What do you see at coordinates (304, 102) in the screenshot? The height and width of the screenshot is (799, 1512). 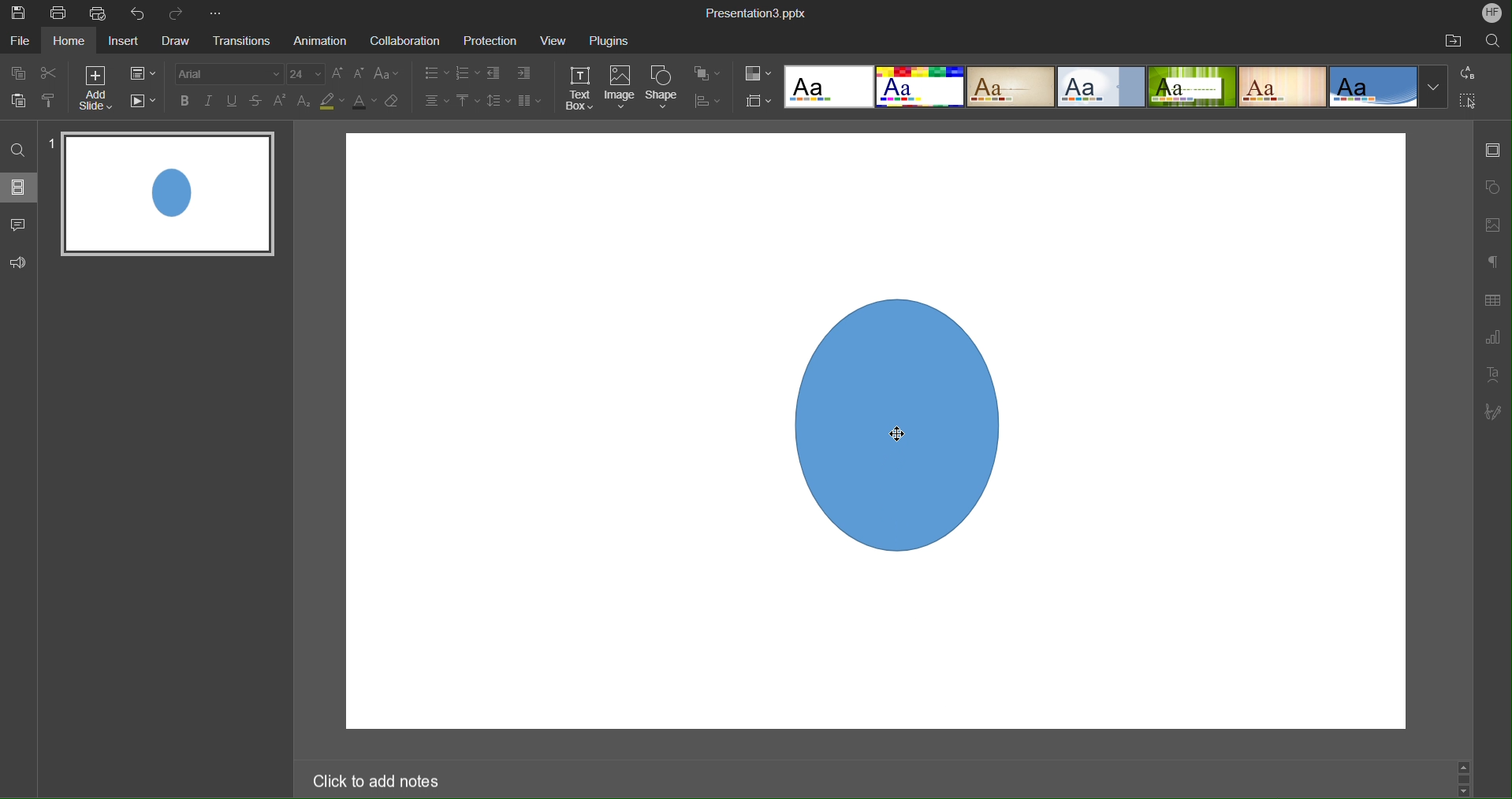 I see `Subscript` at bounding box center [304, 102].